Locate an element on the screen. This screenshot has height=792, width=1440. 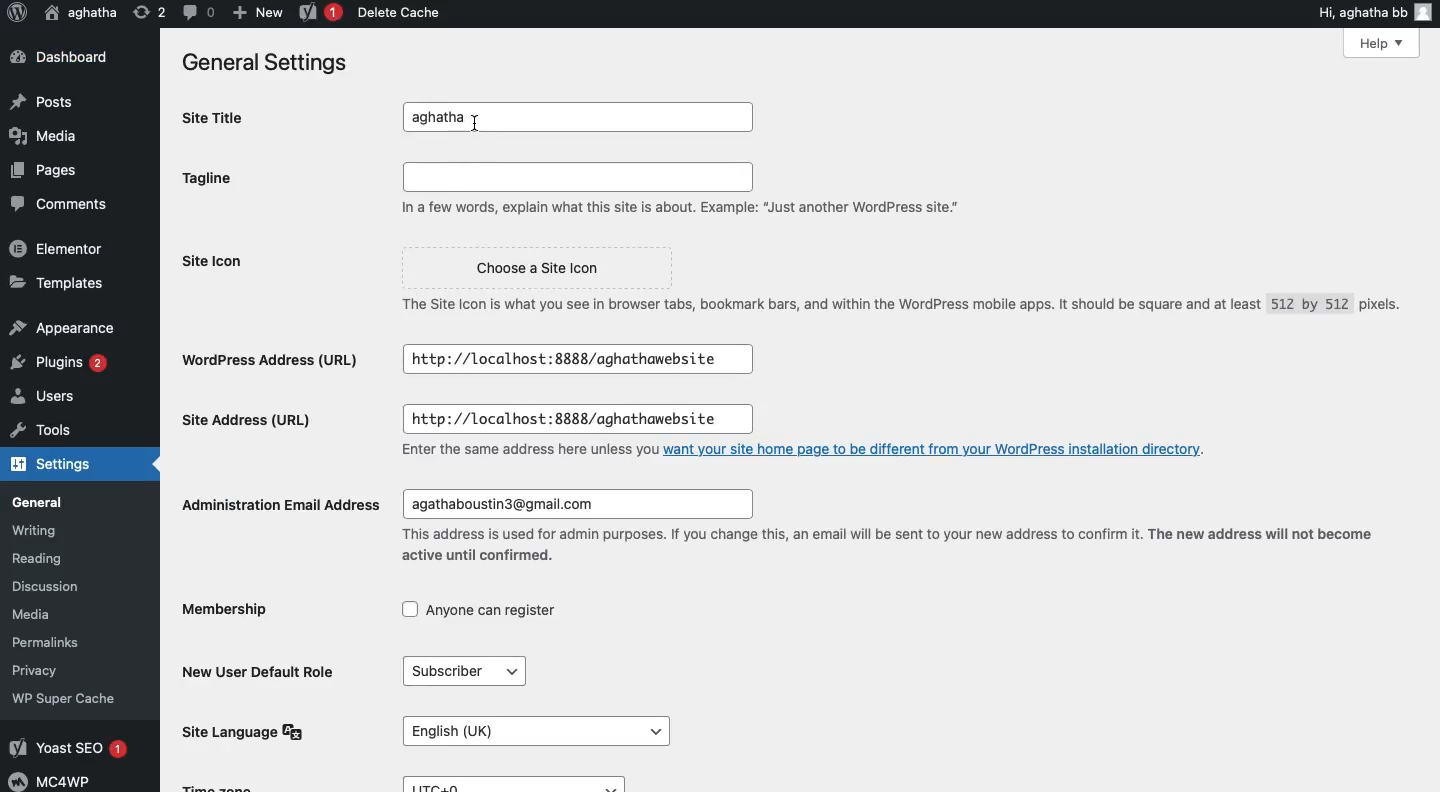
Delete cache is located at coordinates (396, 12).